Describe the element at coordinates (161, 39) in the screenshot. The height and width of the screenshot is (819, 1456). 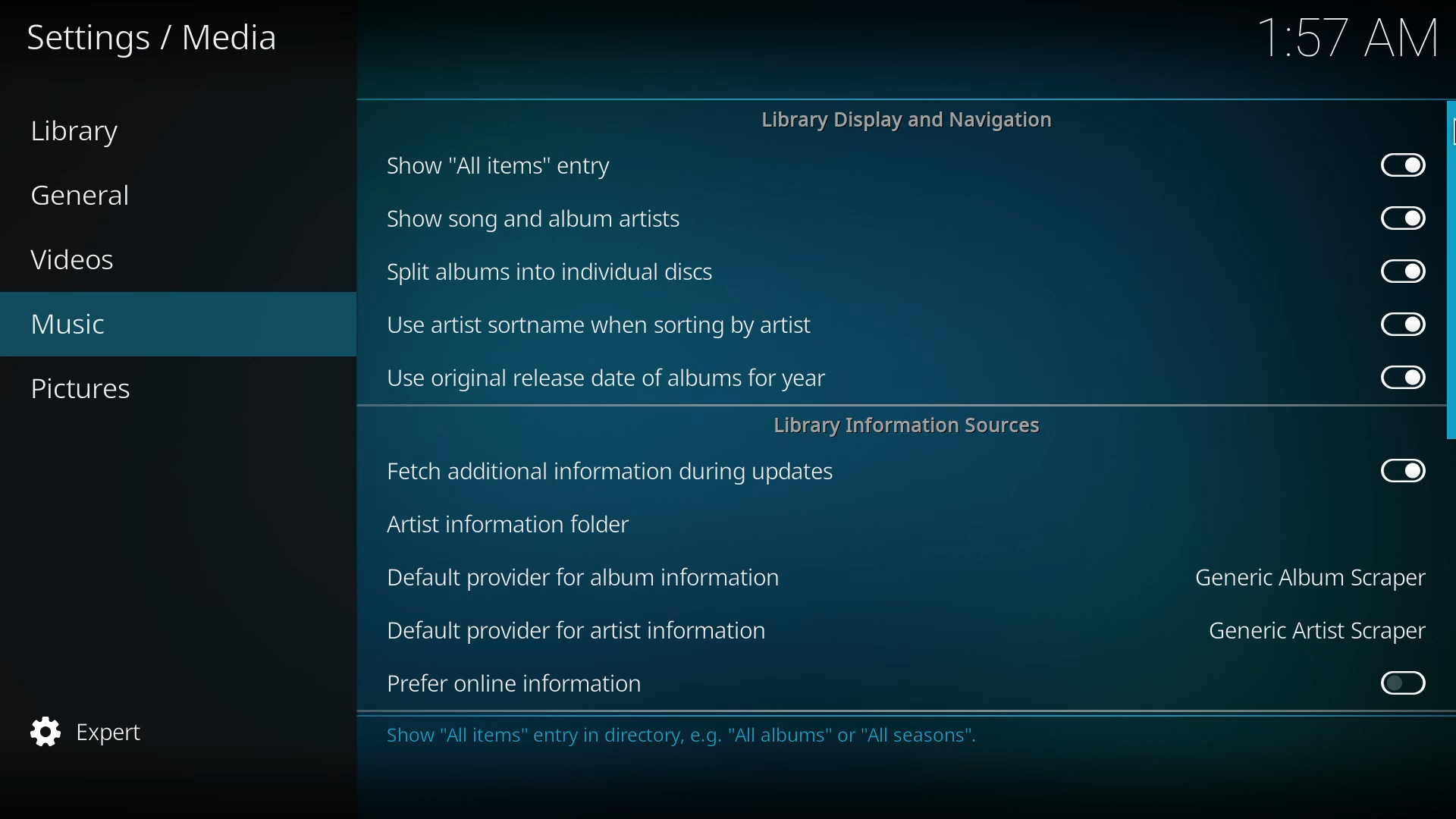
I see `settings media` at that location.